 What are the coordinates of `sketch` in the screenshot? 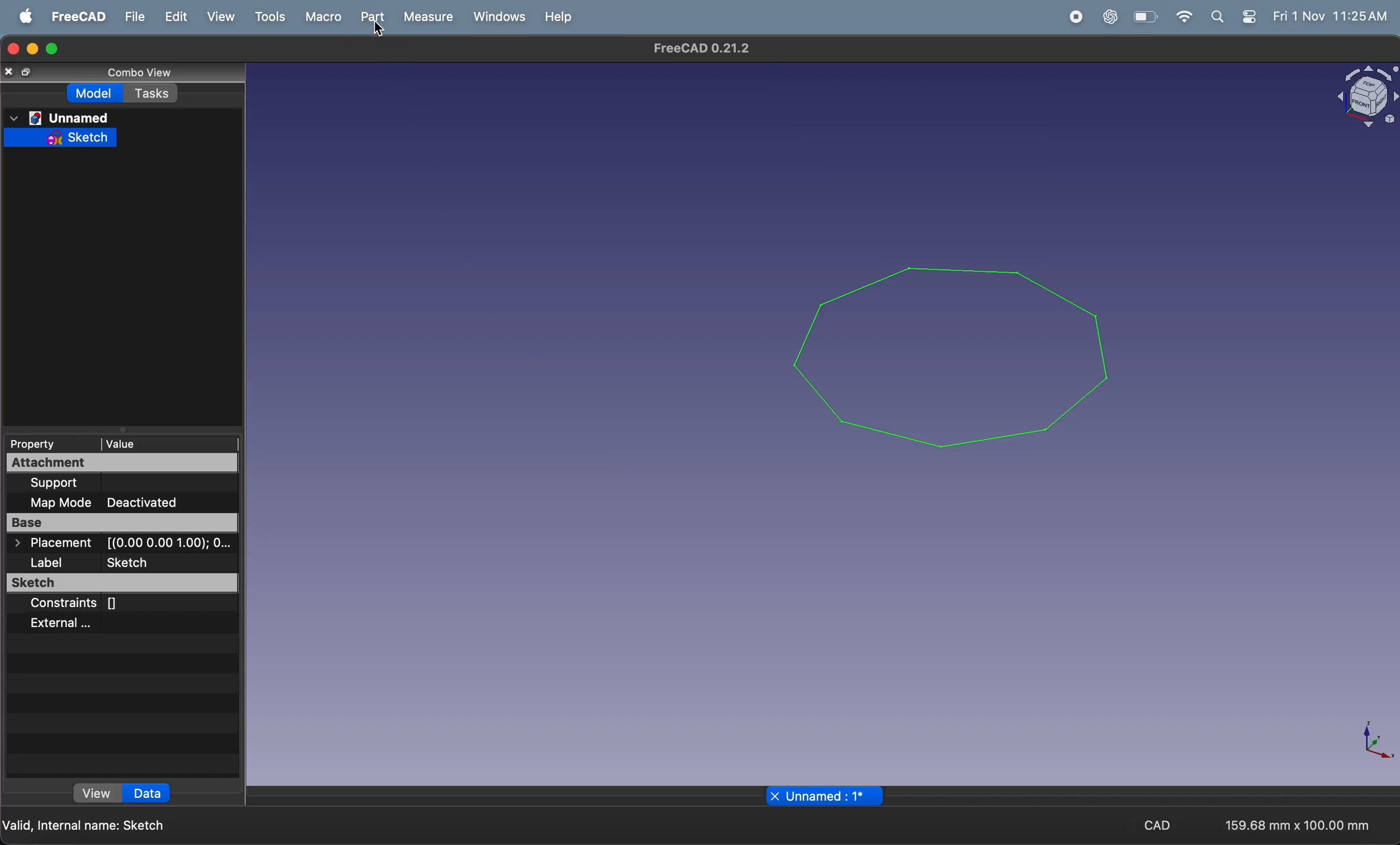 It's located at (124, 583).